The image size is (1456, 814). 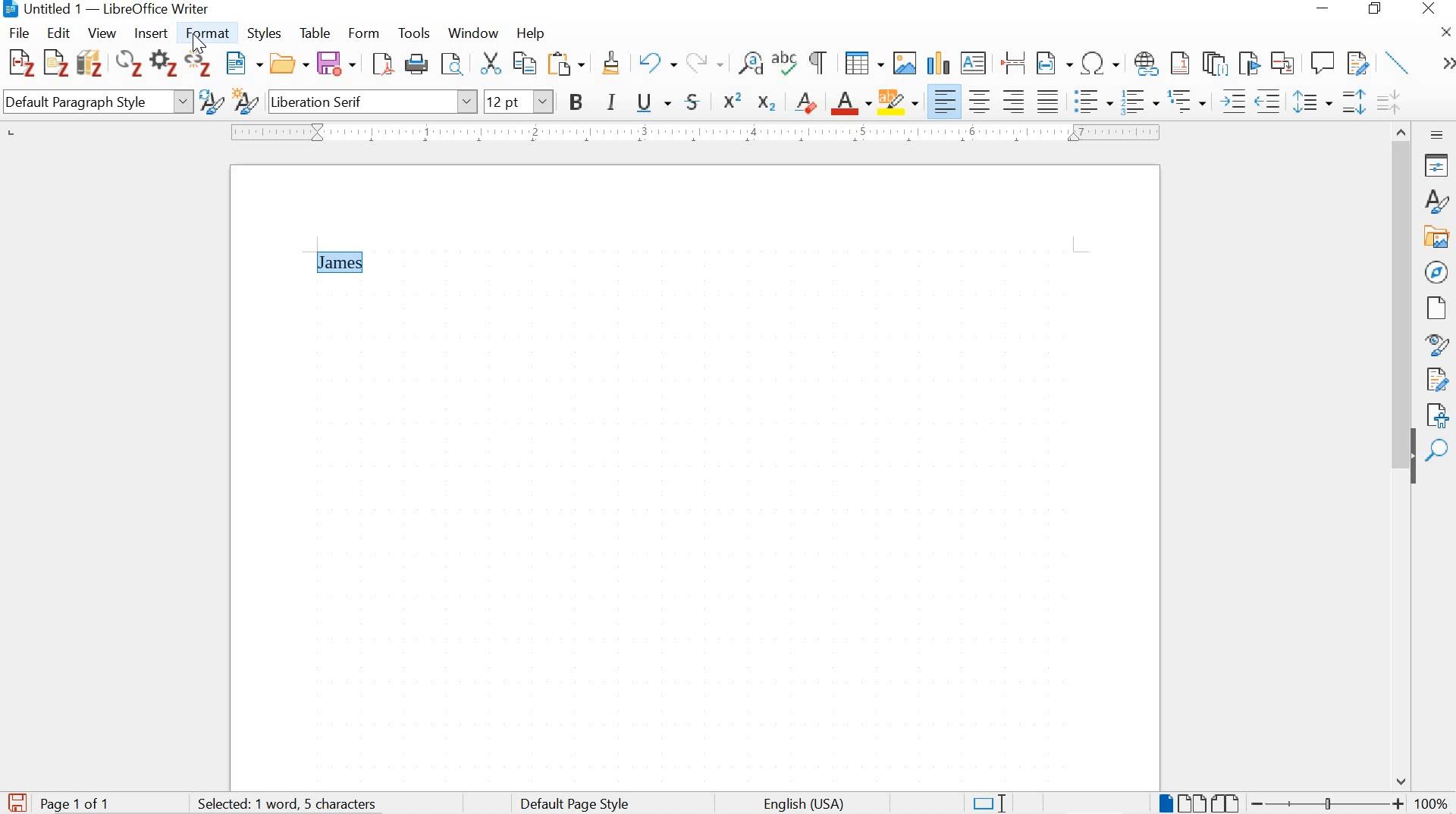 I want to click on paste, so click(x=570, y=64).